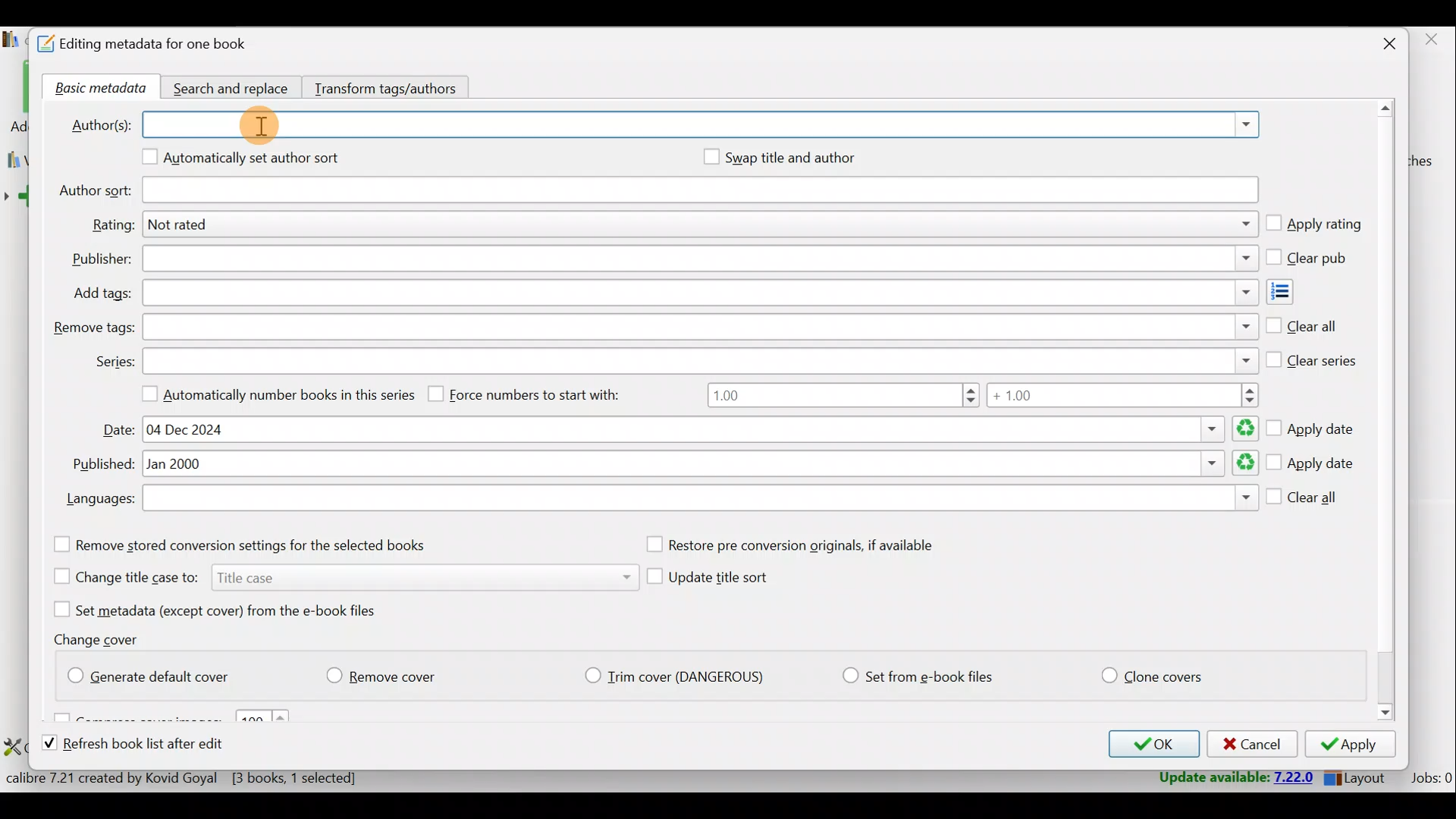 The image size is (1456, 819). Describe the element at coordinates (102, 639) in the screenshot. I see `Change cover` at that location.